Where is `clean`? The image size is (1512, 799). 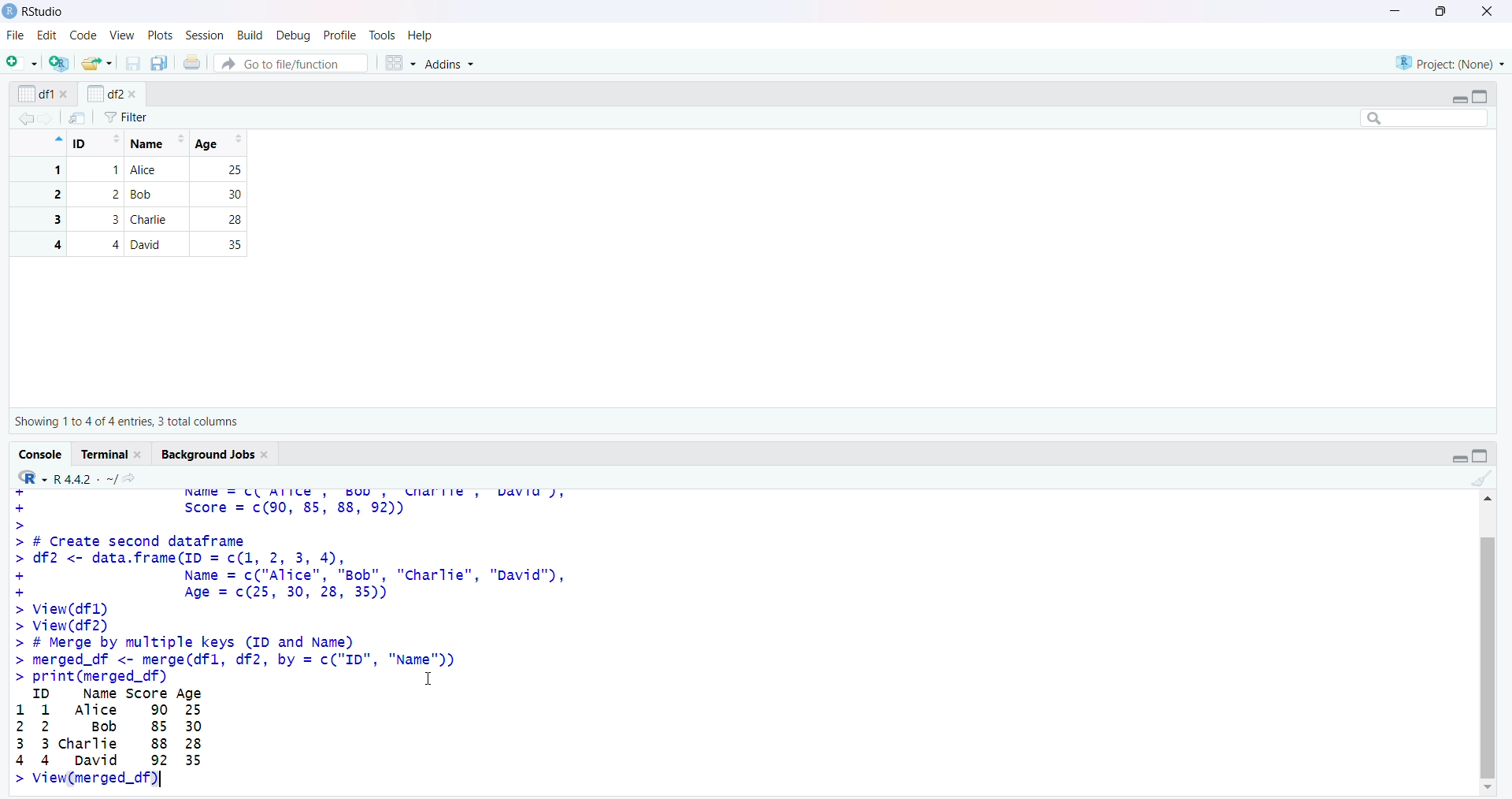 clean is located at coordinates (1483, 479).